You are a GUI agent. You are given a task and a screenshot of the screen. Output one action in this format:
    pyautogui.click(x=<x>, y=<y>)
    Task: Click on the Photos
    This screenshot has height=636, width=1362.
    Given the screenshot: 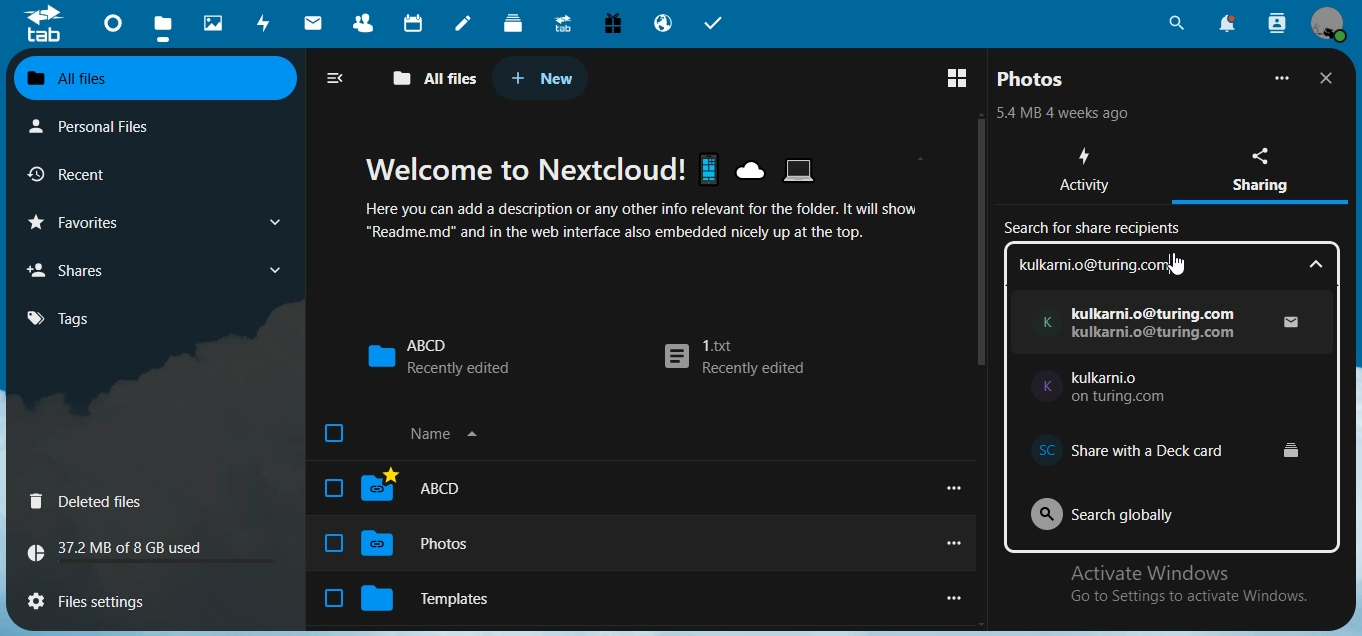 What is the action you would take?
    pyautogui.click(x=440, y=545)
    